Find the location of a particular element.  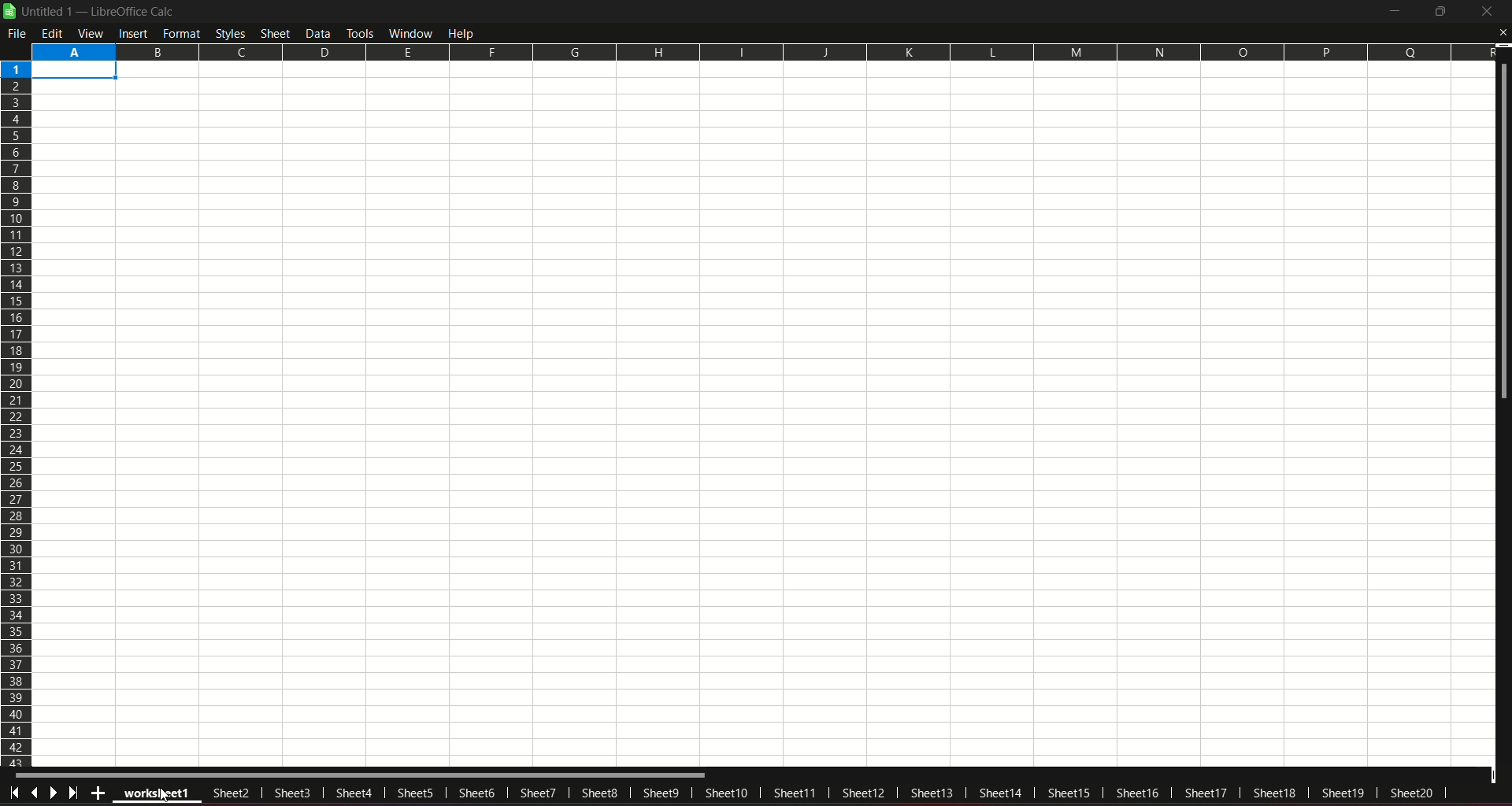

Cursor is located at coordinates (166, 793).